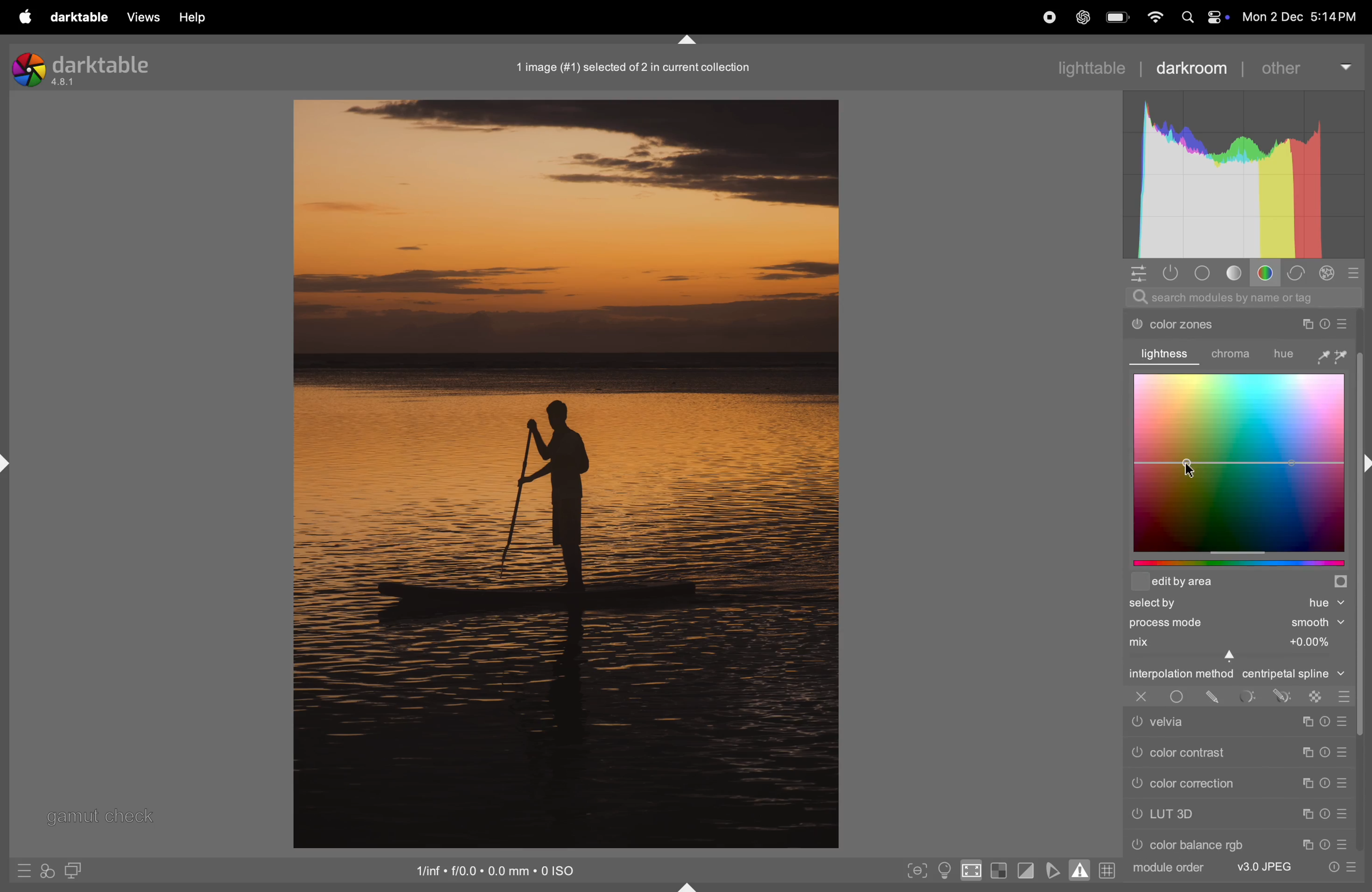  What do you see at coordinates (1238, 462) in the screenshot?
I see `color graphs` at bounding box center [1238, 462].